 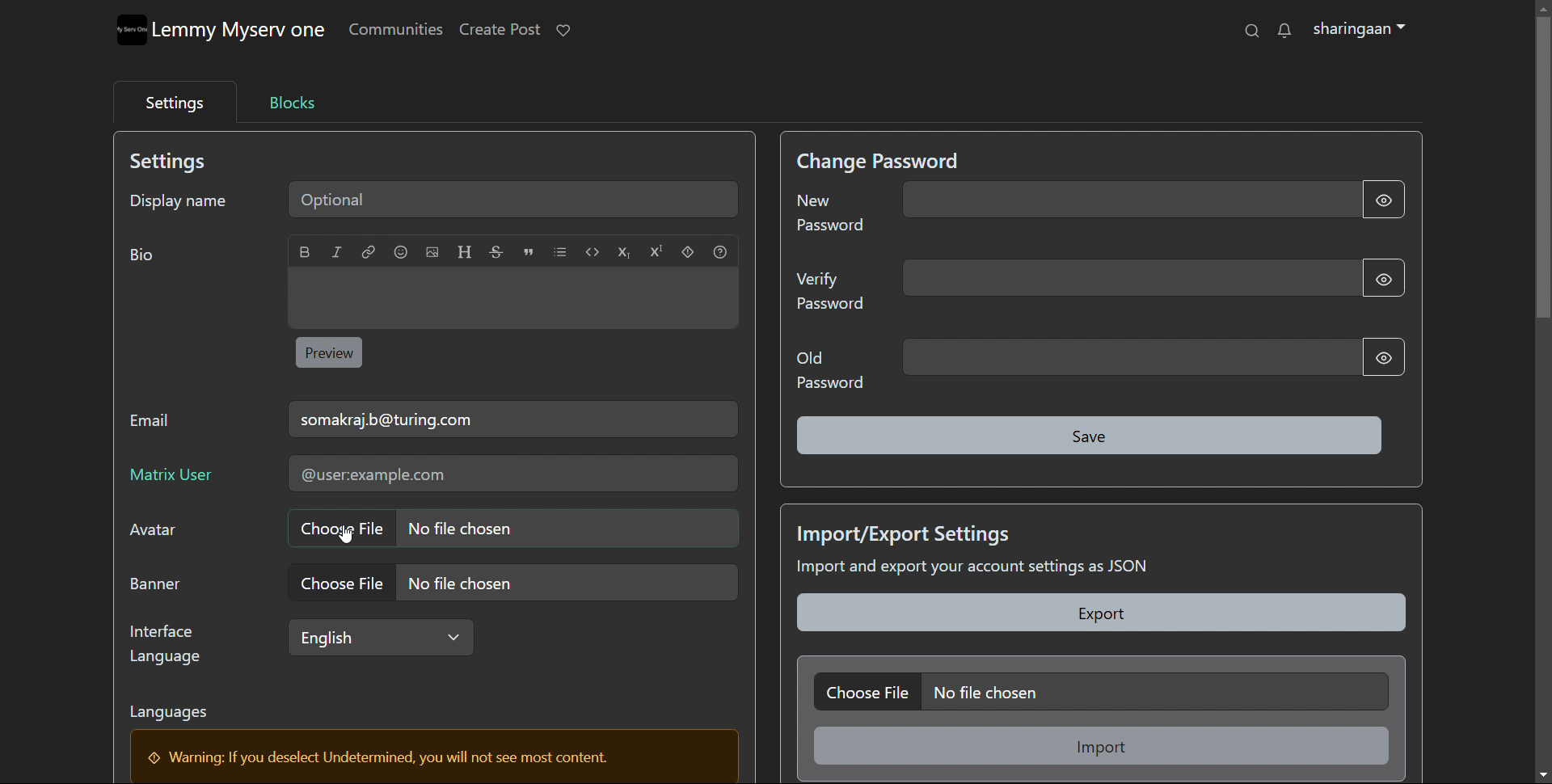 What do you see at coordinates (496, 251) in the screenshot?
I see `strikethrough` at bounding box center [496, 251].